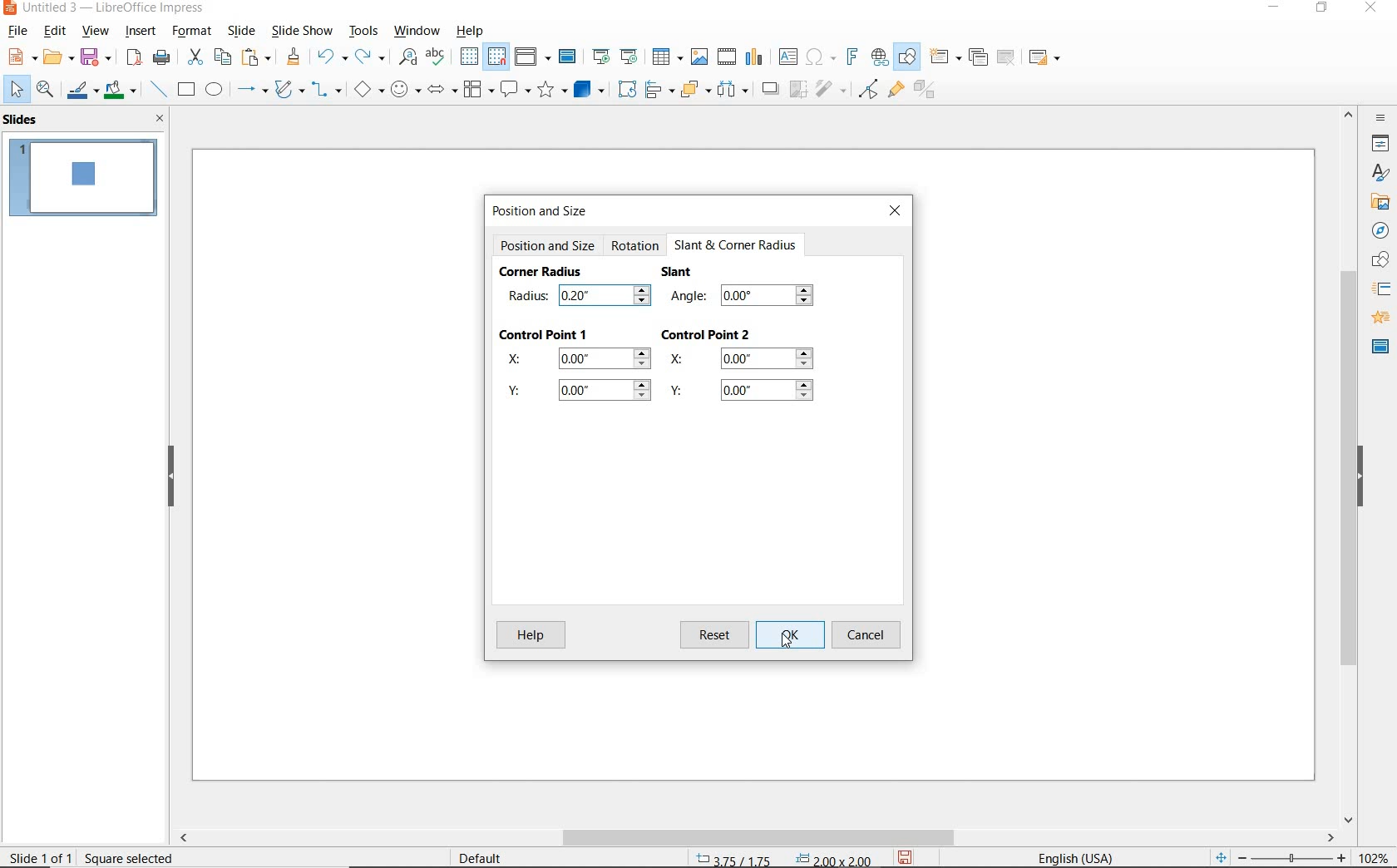  Describe the element at coordinates (170, 476) in the screenshot. I see `hide` at that location.